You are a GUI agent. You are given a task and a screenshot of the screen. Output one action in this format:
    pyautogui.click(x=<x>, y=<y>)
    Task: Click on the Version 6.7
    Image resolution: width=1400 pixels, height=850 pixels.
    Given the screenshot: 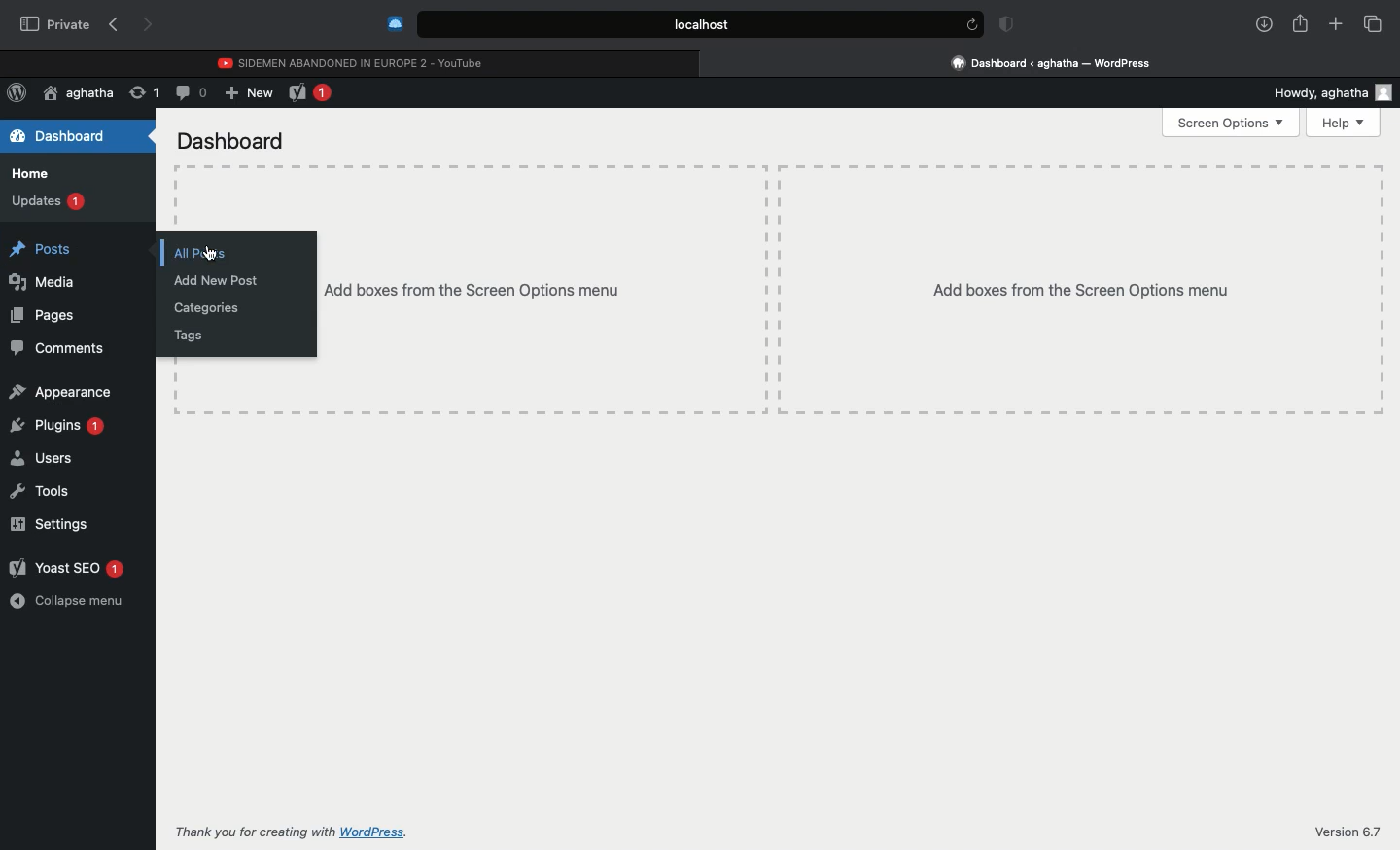 What is the action you would take?
    pyautogui.click(x=1349, y=832)
    